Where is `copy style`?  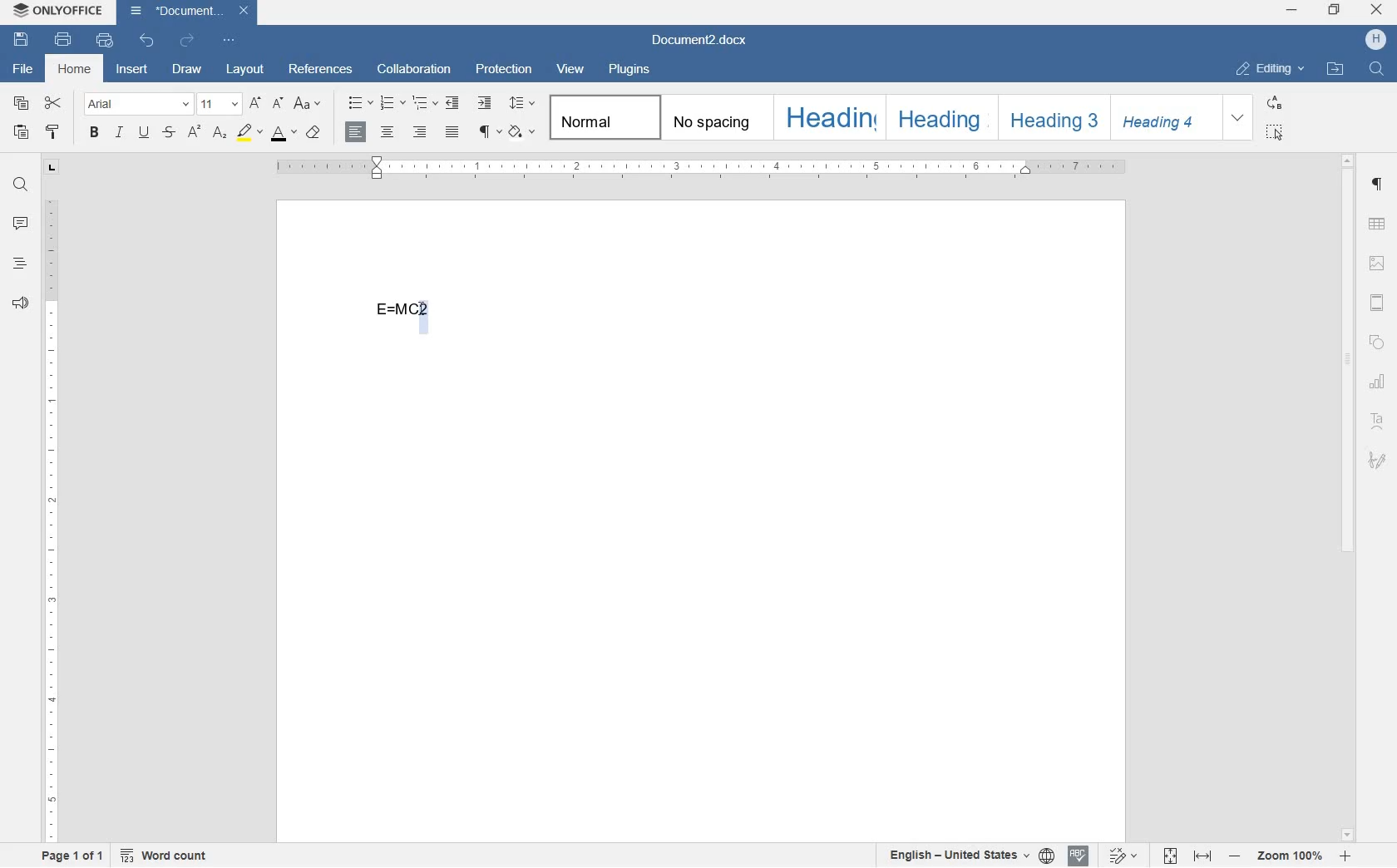 copy style is located at coordinates (53, 133).